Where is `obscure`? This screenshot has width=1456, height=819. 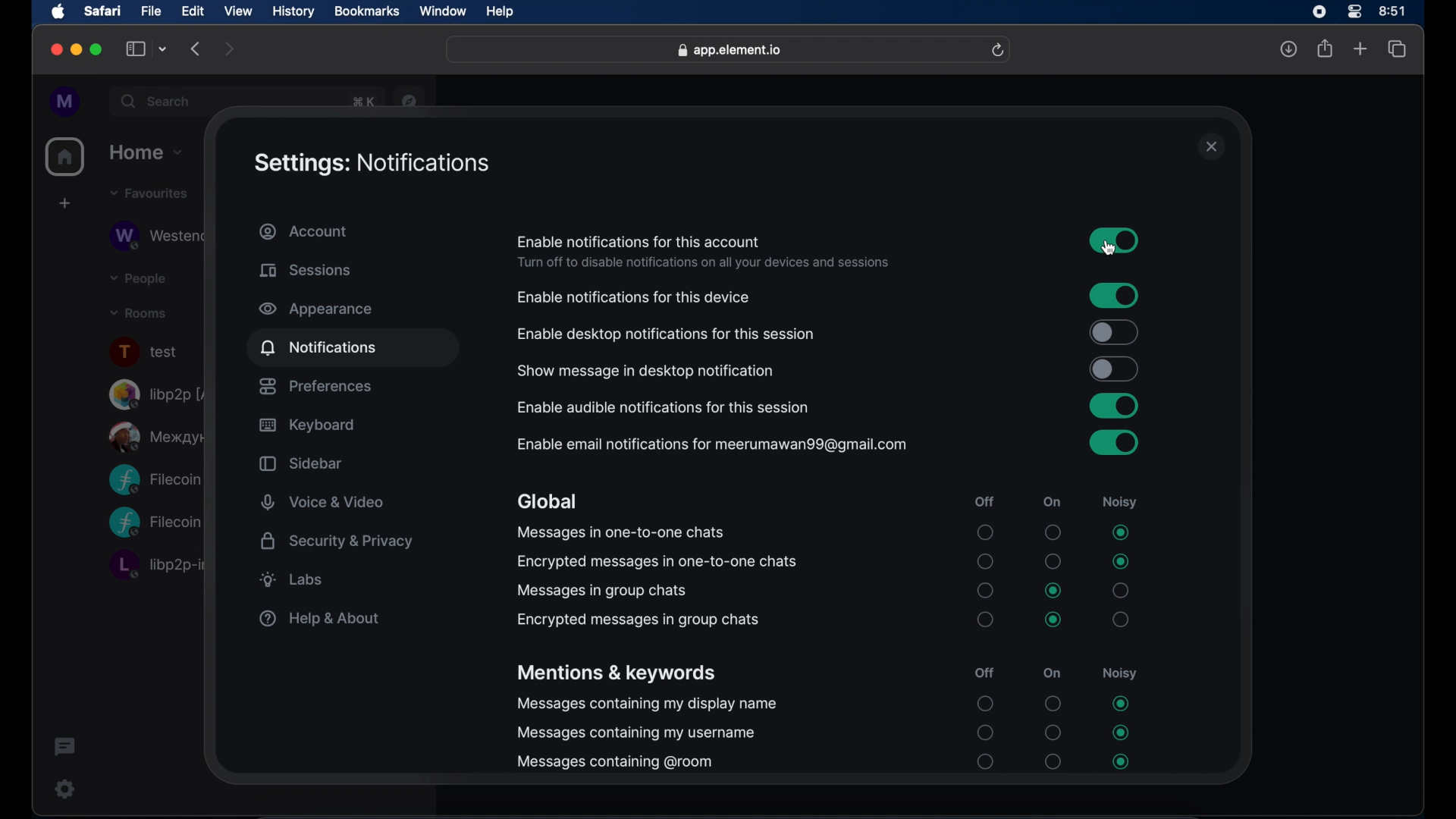 obscure is located at coordinates (159, 235).